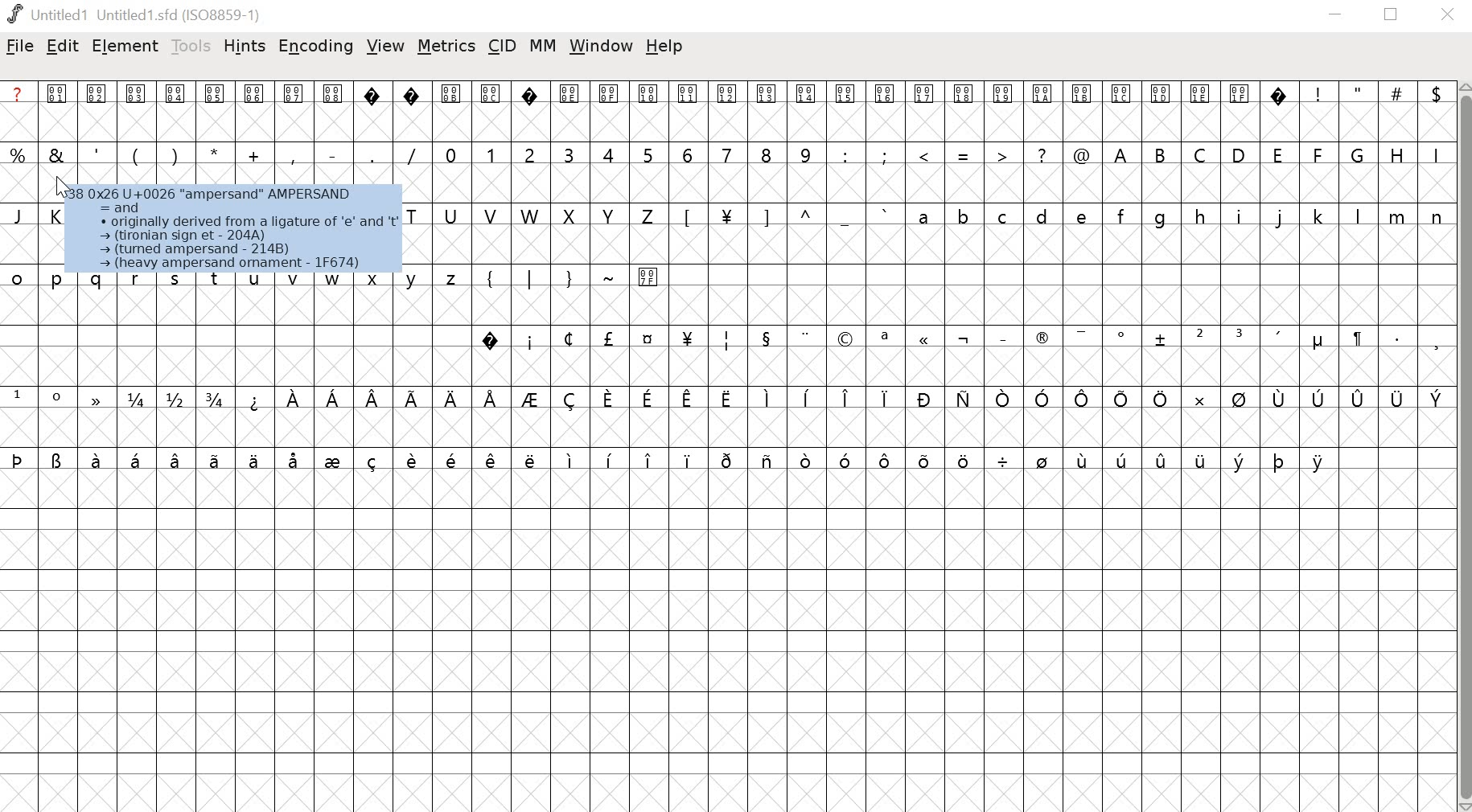 The height and width of the screenshot is (812, 1472). I want to click on 5, so click(648, 154).